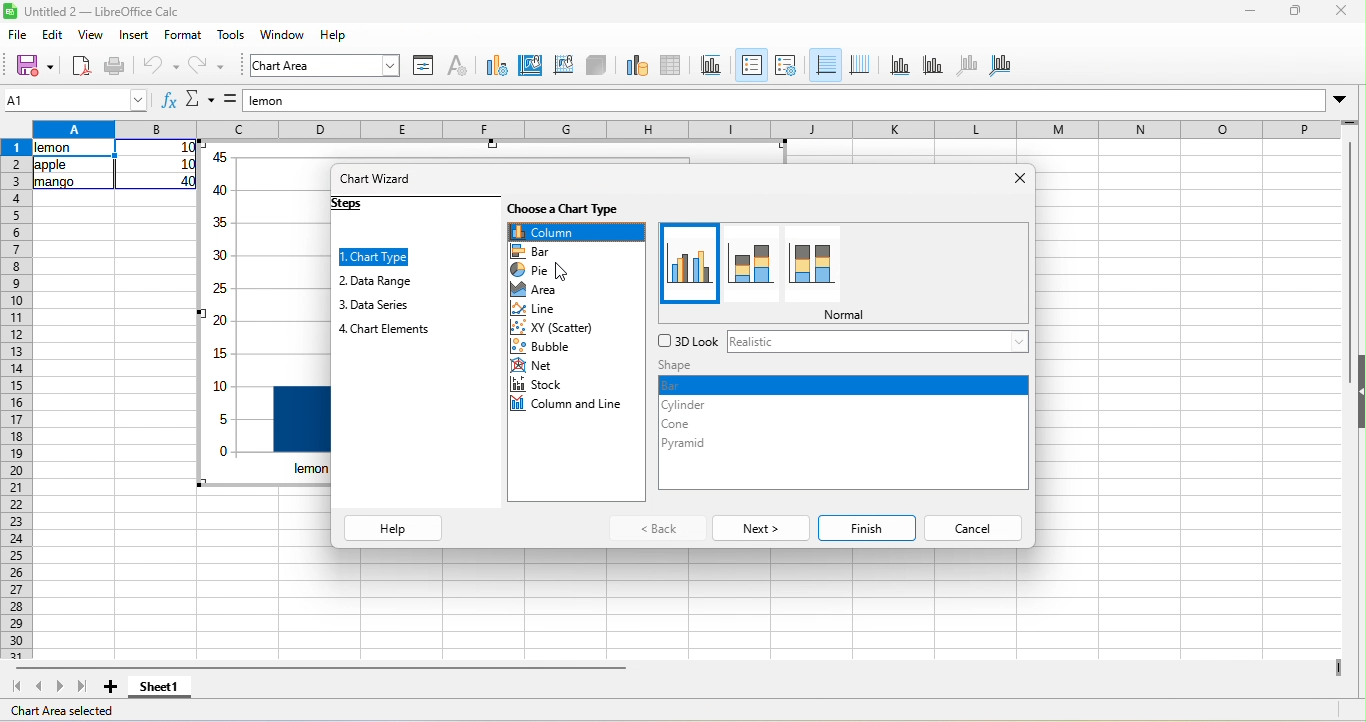 The width and height of the screenshot is (1366, 722). What do you see at coordinates (18, 687) in the screenshot?
I see `scroll to first sheet` at bounding box center [18, 687].